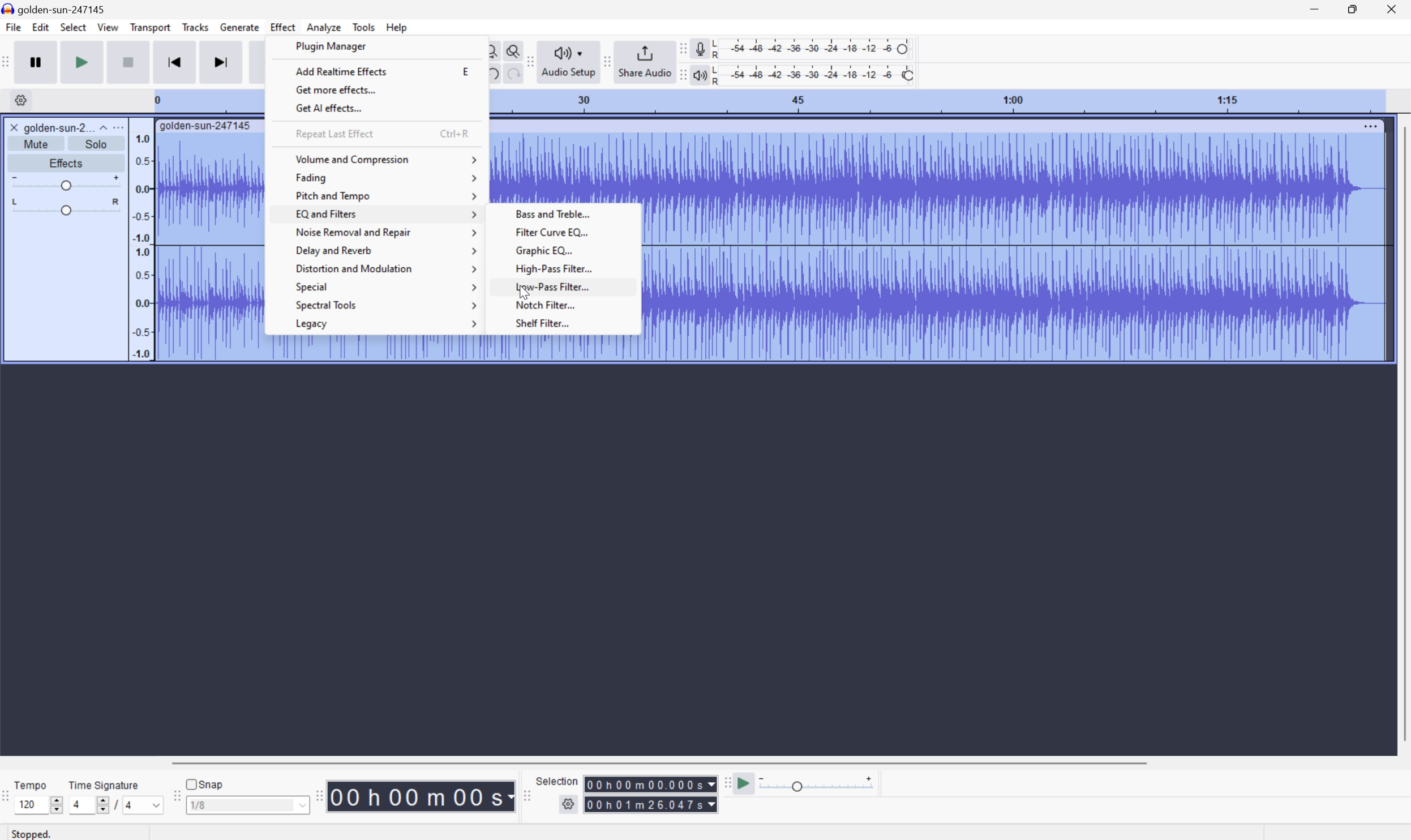 This screenshot has width=1411, height=840. I want to click on Skip to start, so click(175, 61).